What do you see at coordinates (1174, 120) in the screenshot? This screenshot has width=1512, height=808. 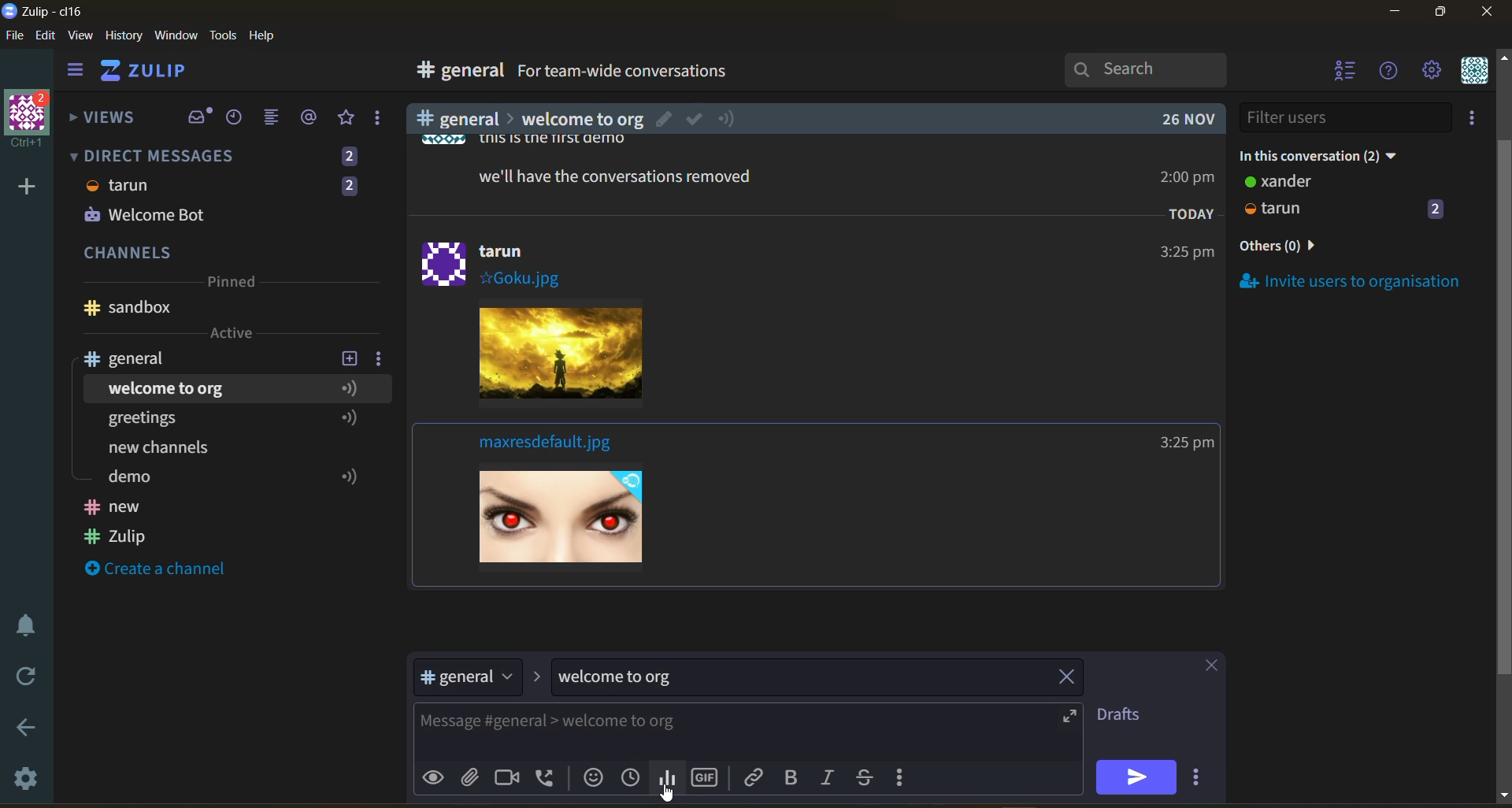 I see `` at bounding box center [1174, 120].